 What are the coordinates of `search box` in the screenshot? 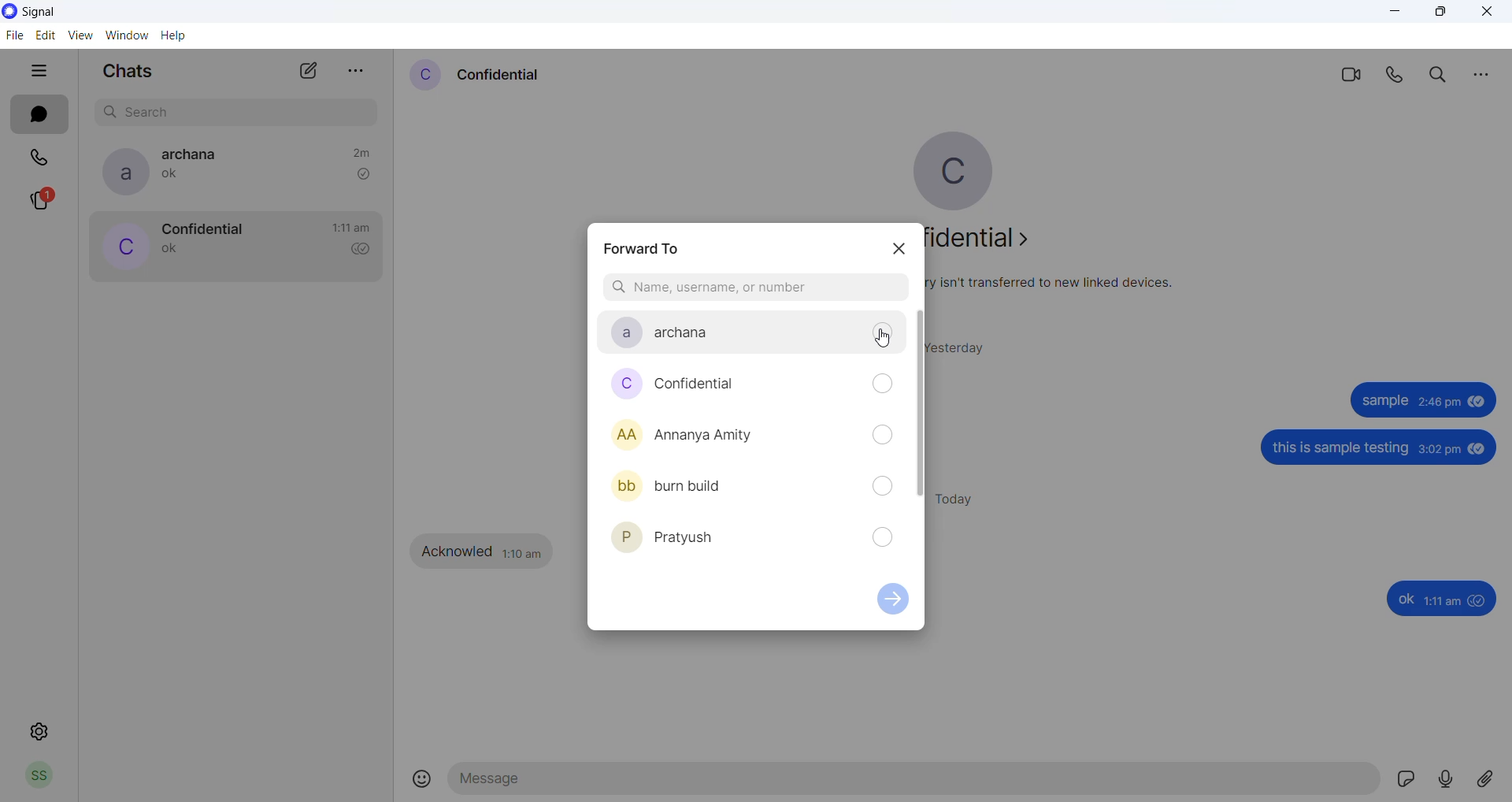 It's located at (240, 110).